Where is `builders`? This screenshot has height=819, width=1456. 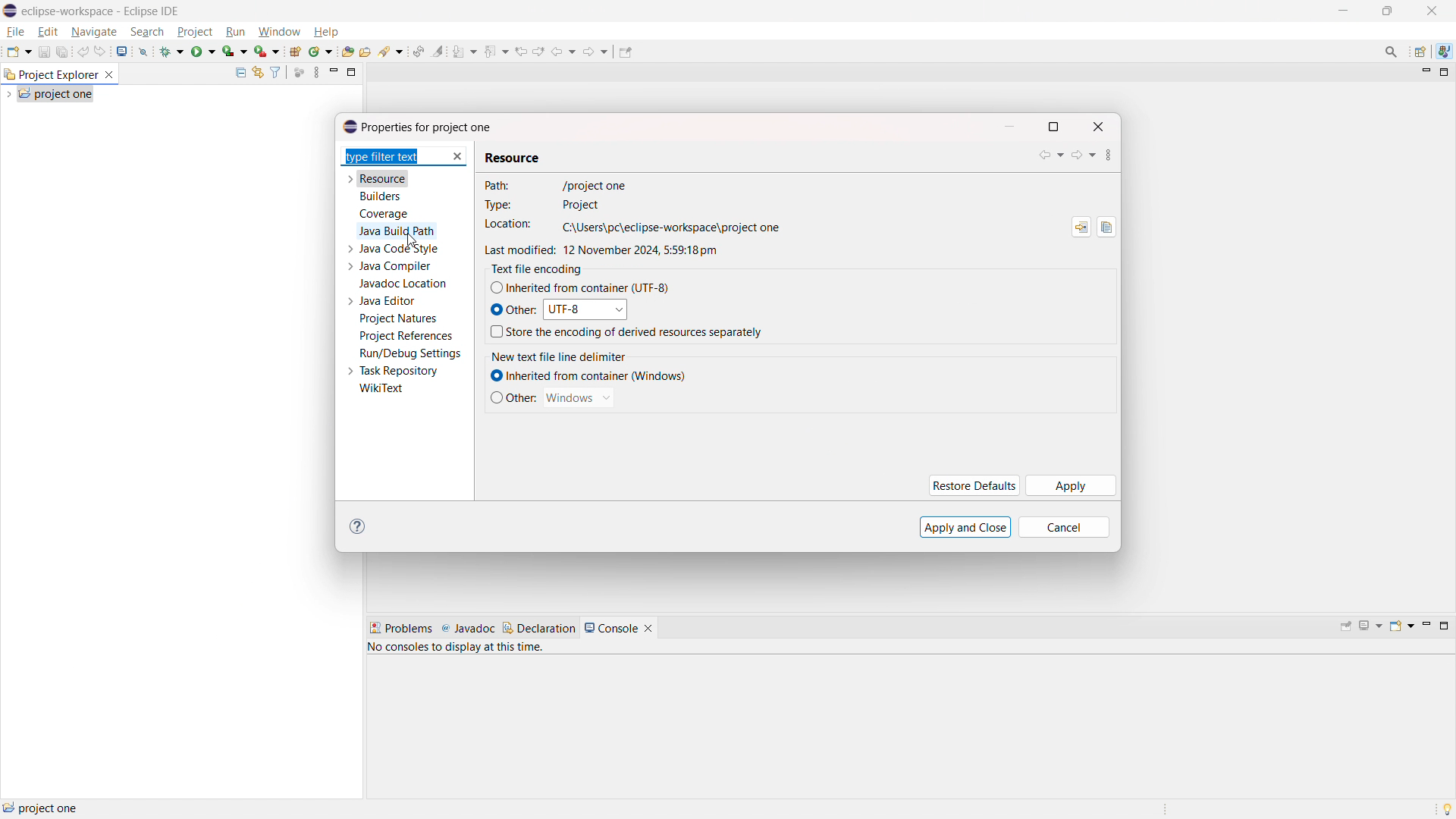 builders is located at coordinates (380, 196).